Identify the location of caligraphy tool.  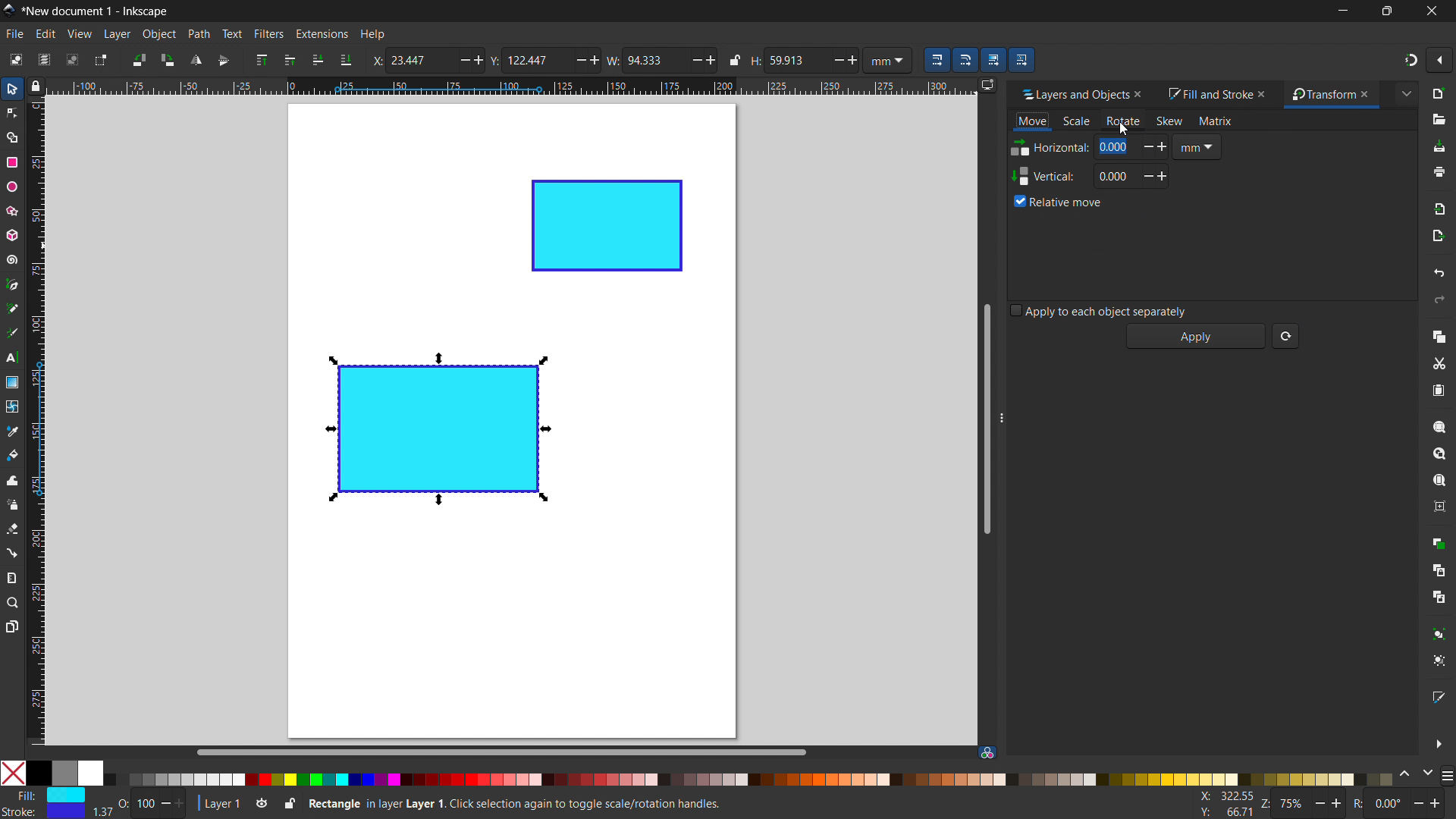
(11, 332).